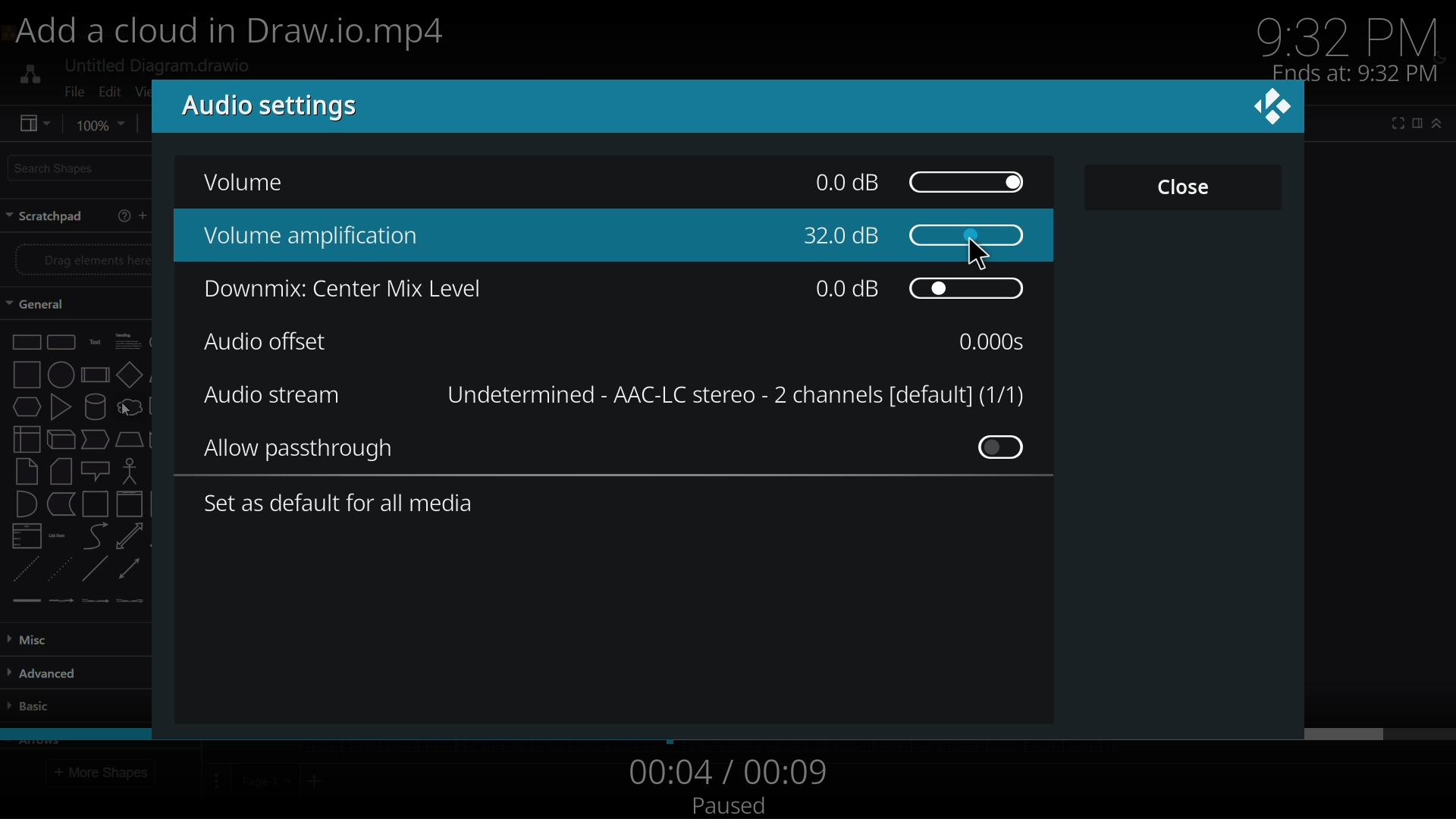 Image resolution: width=1456 pixels, height=819 pixels. Describe the element at coordinates (1355, 73) in the screenshot. I see `Ends at: 9:32 PM` at that location.